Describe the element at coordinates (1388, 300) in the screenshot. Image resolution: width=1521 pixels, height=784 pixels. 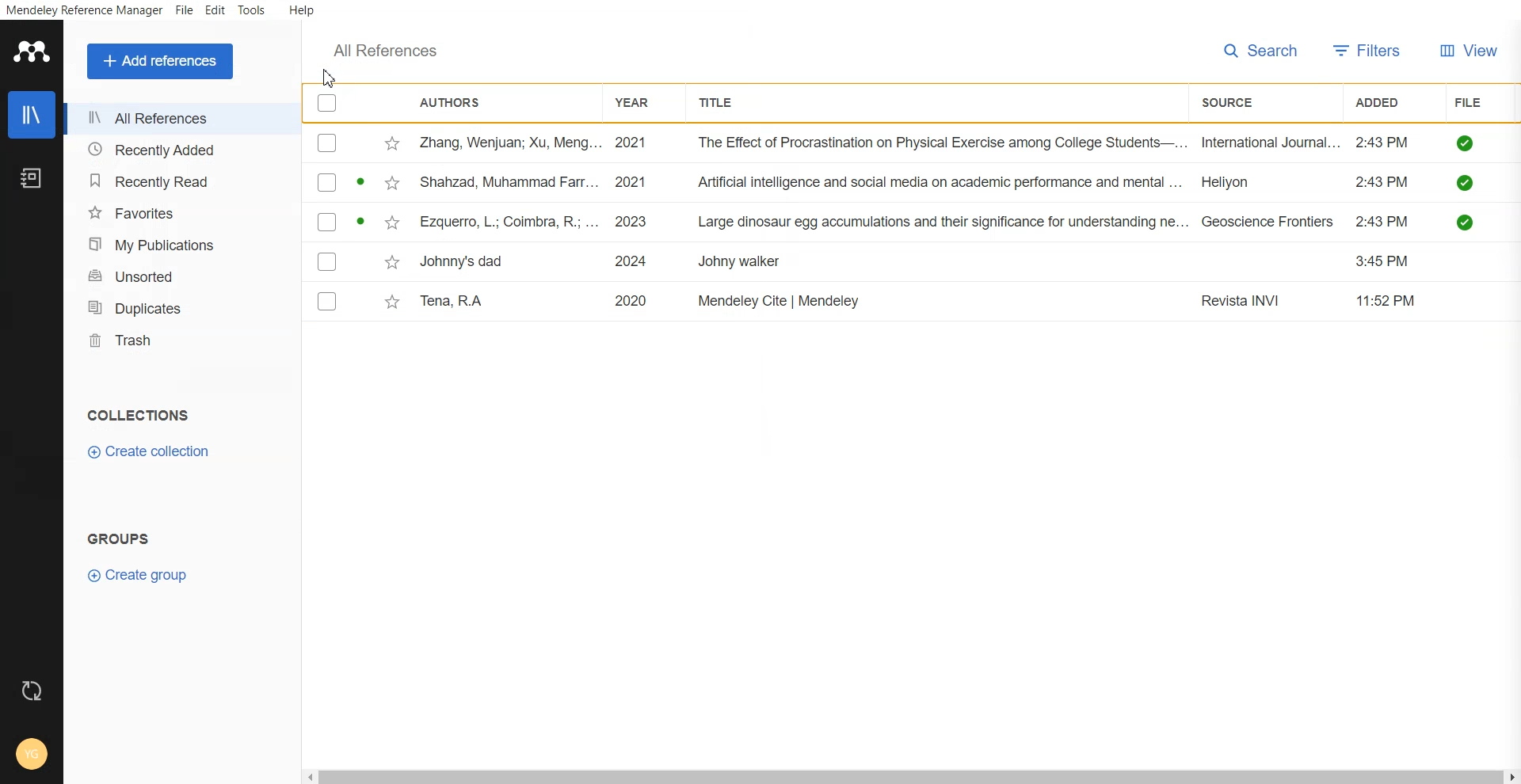
I see `11:52 PM` at that location.